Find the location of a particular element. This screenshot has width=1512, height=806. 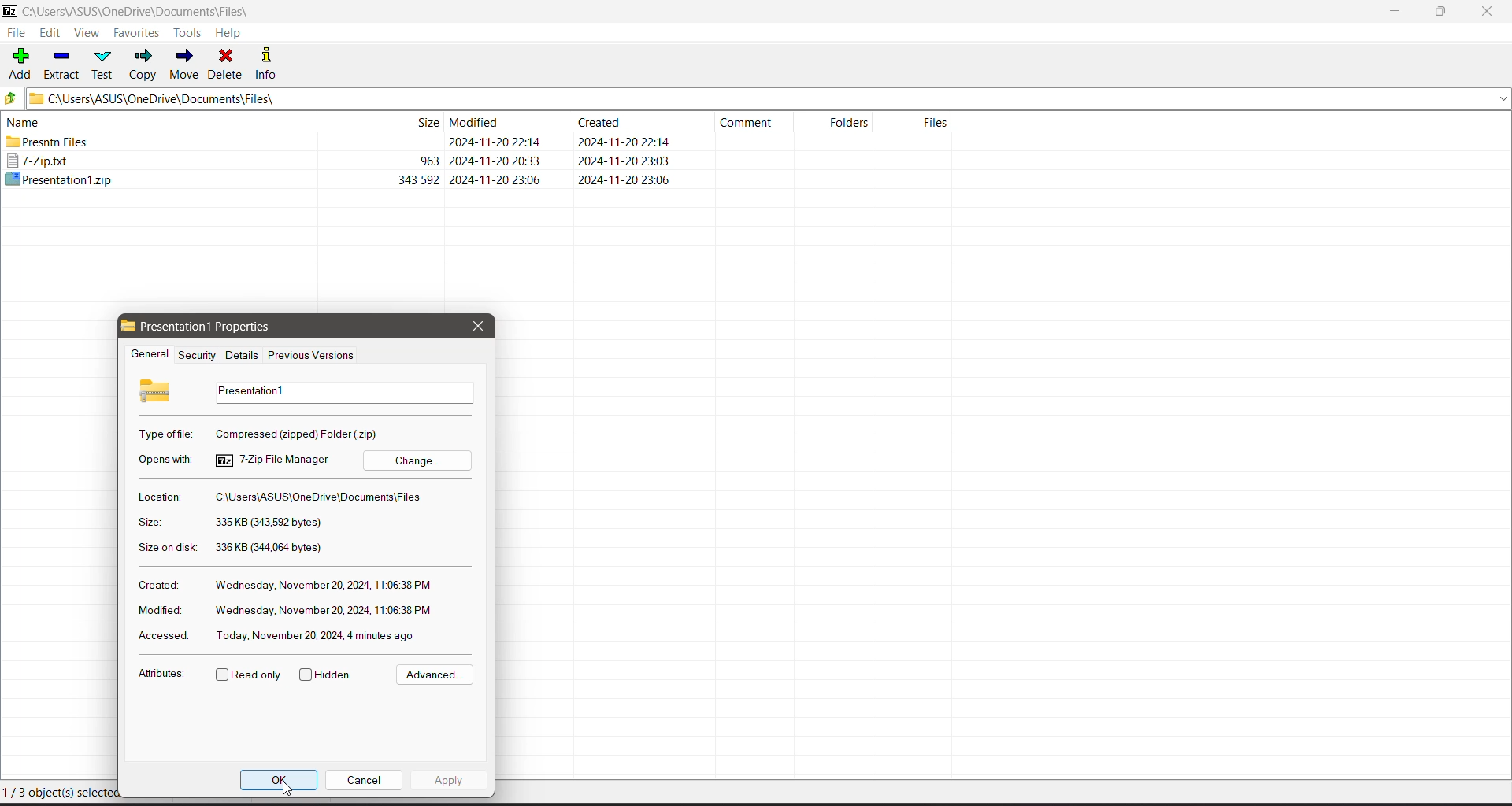

Favorites is located at coordinates (137, 33).